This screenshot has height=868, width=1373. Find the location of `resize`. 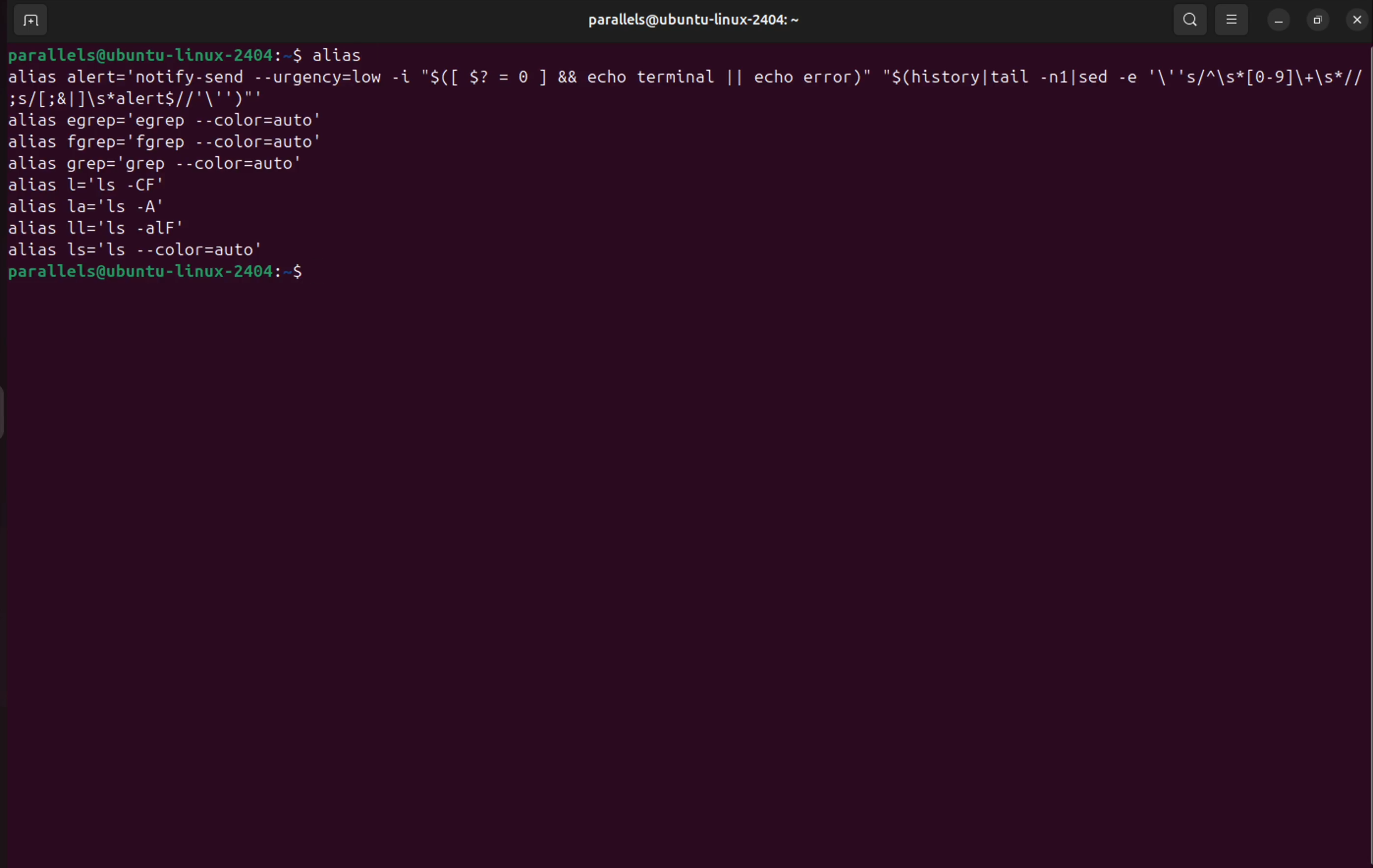

resize is located at coordinates (1318, 19).